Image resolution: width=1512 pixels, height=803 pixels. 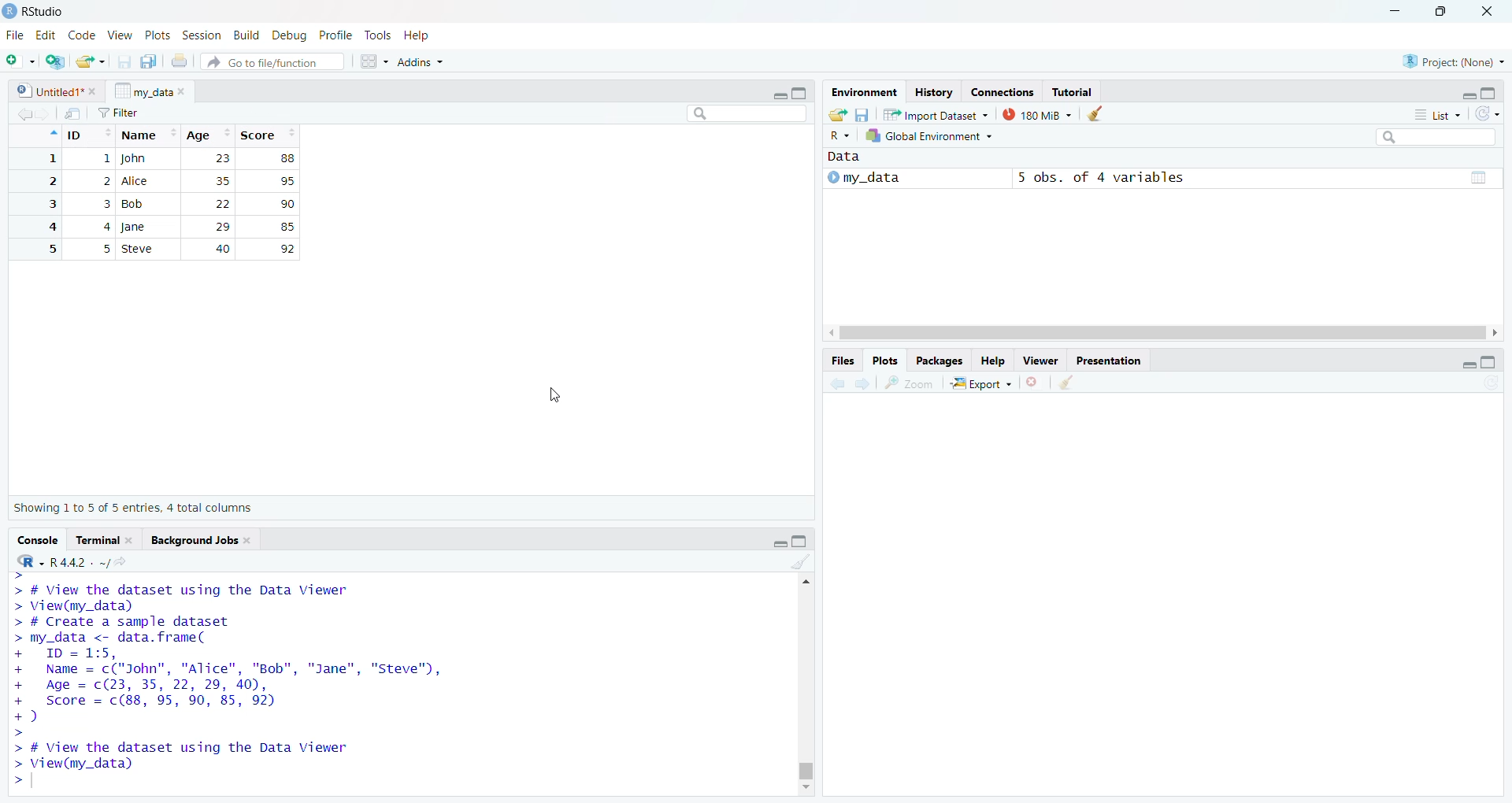 I want to click on Maximize, so click(x=1440, y=12).